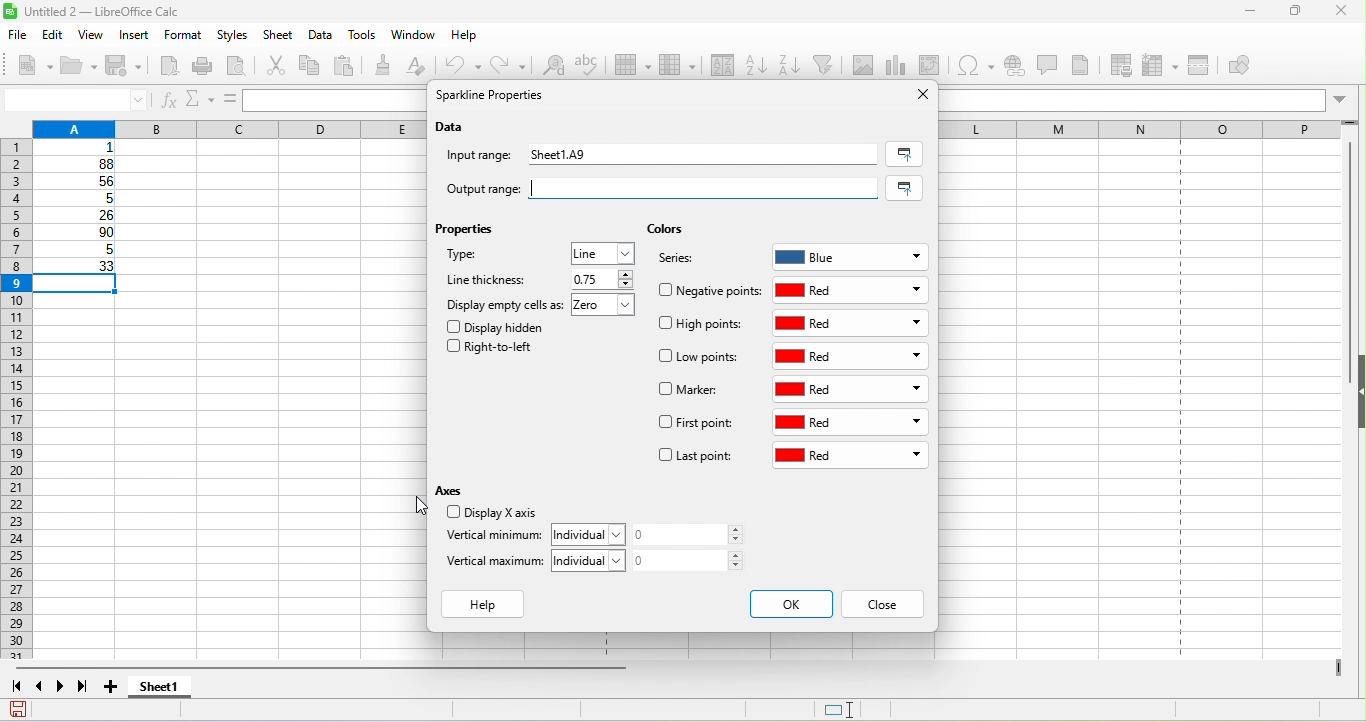  What do you see at coordinates (1203, 66) in the screenshot?
I see `split window` at bounding box center [1203, 66].